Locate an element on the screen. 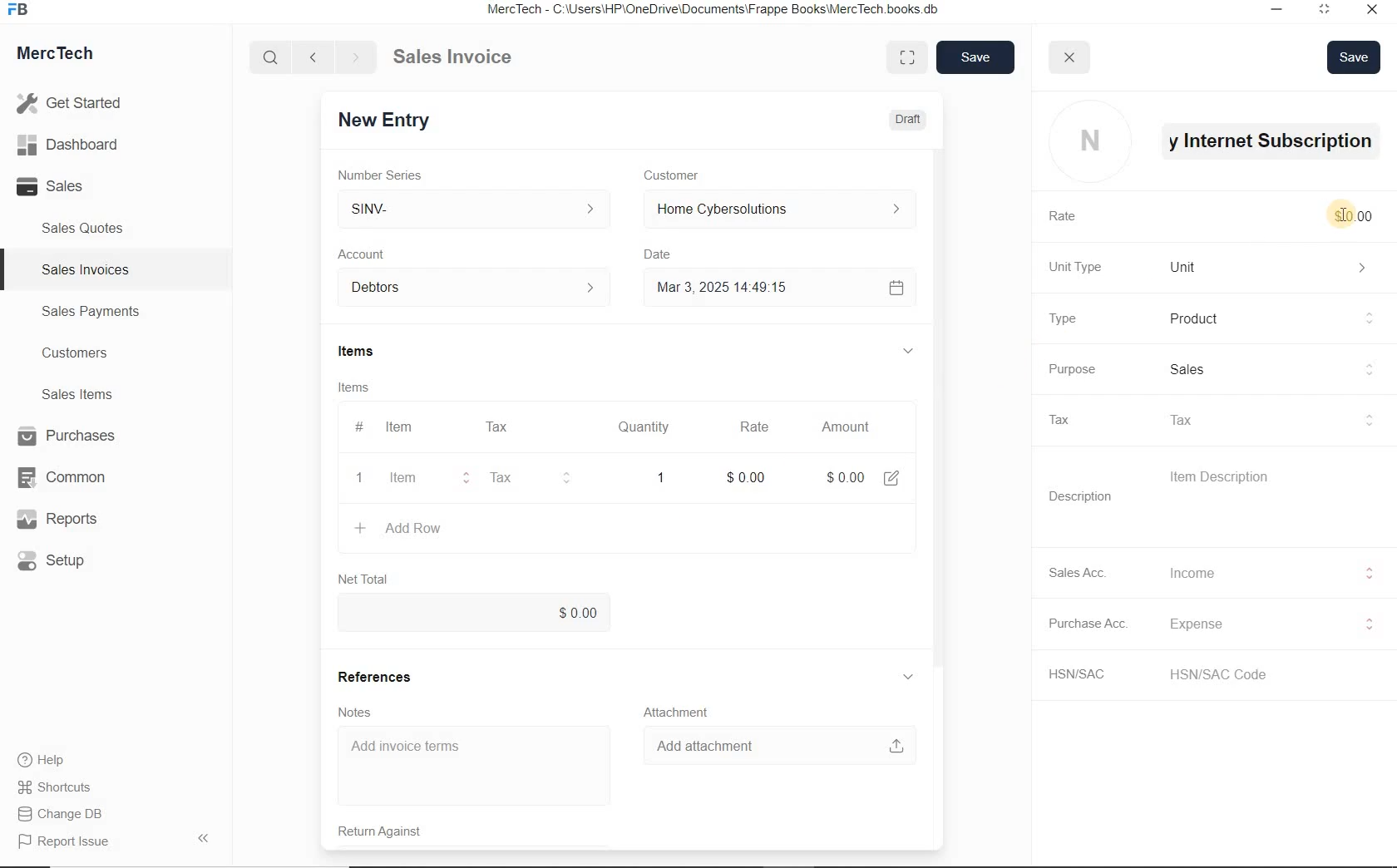  Toggle between form and full width is located at coordinates (909, 57).